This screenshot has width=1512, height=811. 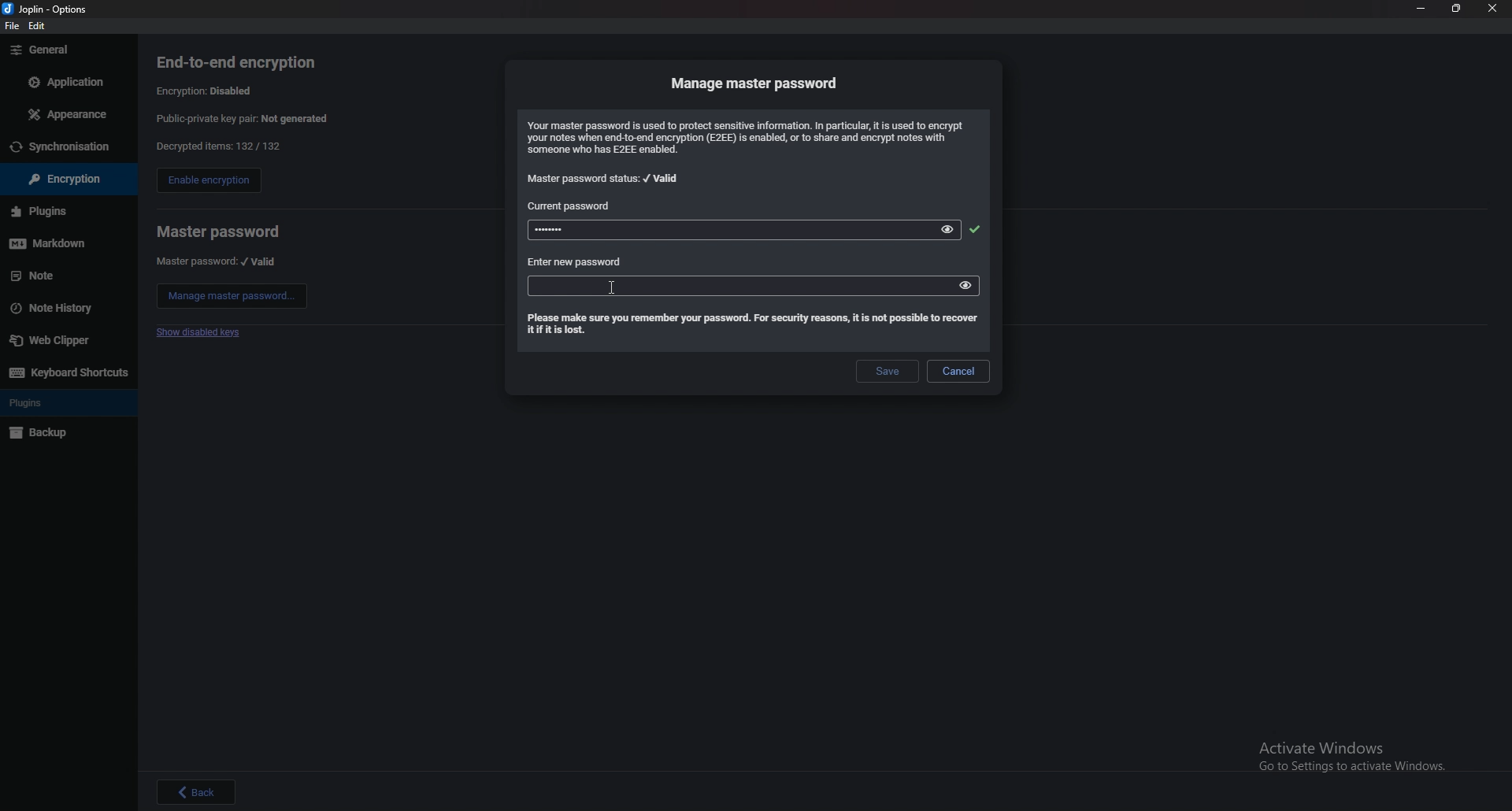 I want to click on general, so click(x=66, y=50).